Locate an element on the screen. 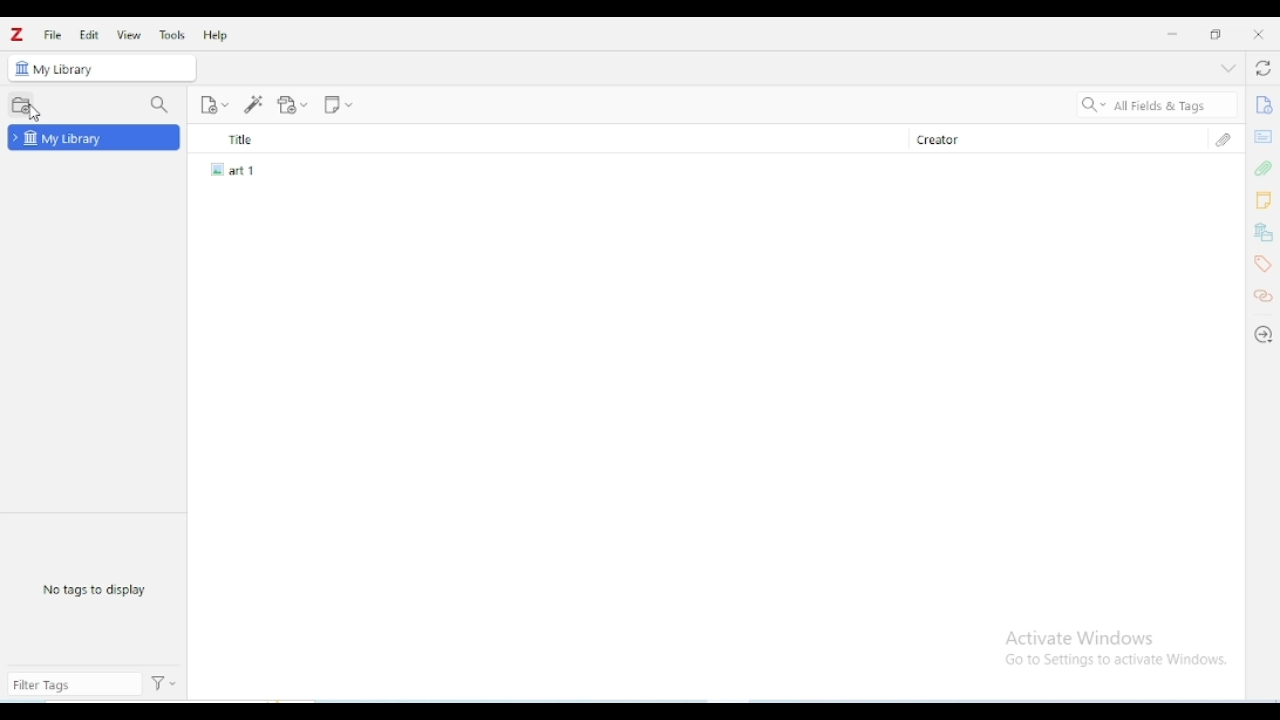 This screenshot has height=720, width=1280. related is located at coordinates (1263, 296).